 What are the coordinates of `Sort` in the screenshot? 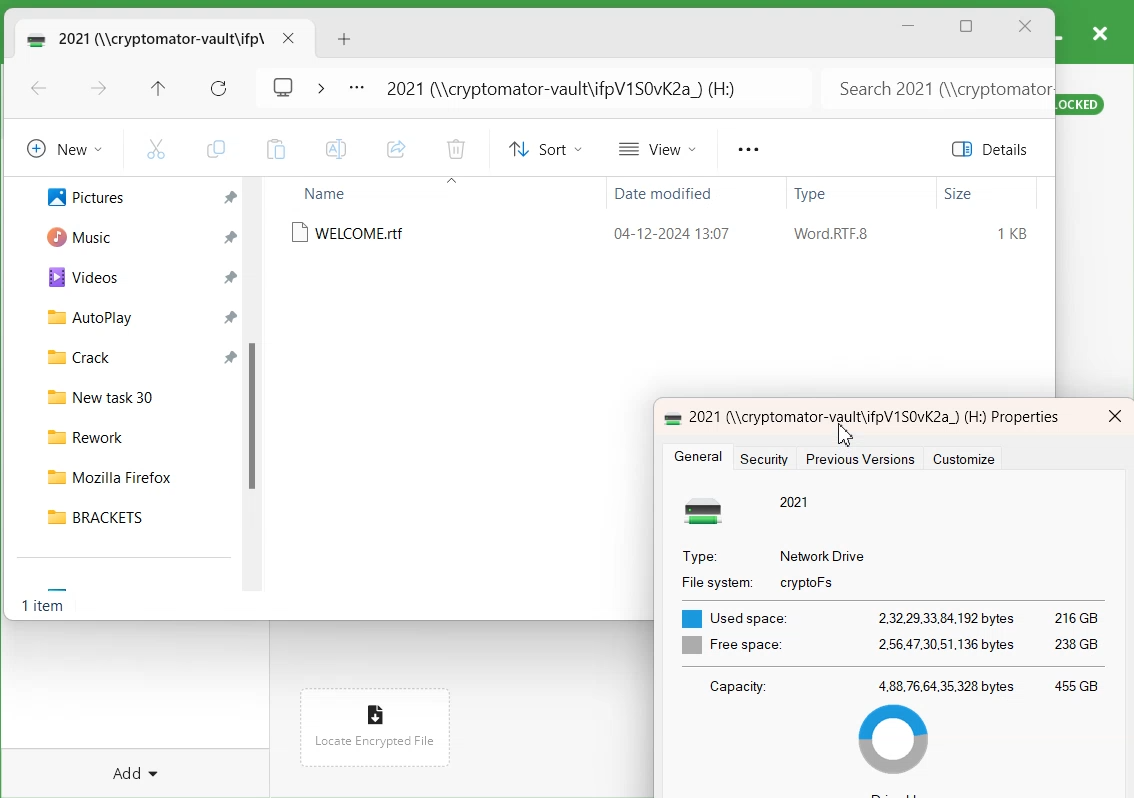 It's located at (542, 149).